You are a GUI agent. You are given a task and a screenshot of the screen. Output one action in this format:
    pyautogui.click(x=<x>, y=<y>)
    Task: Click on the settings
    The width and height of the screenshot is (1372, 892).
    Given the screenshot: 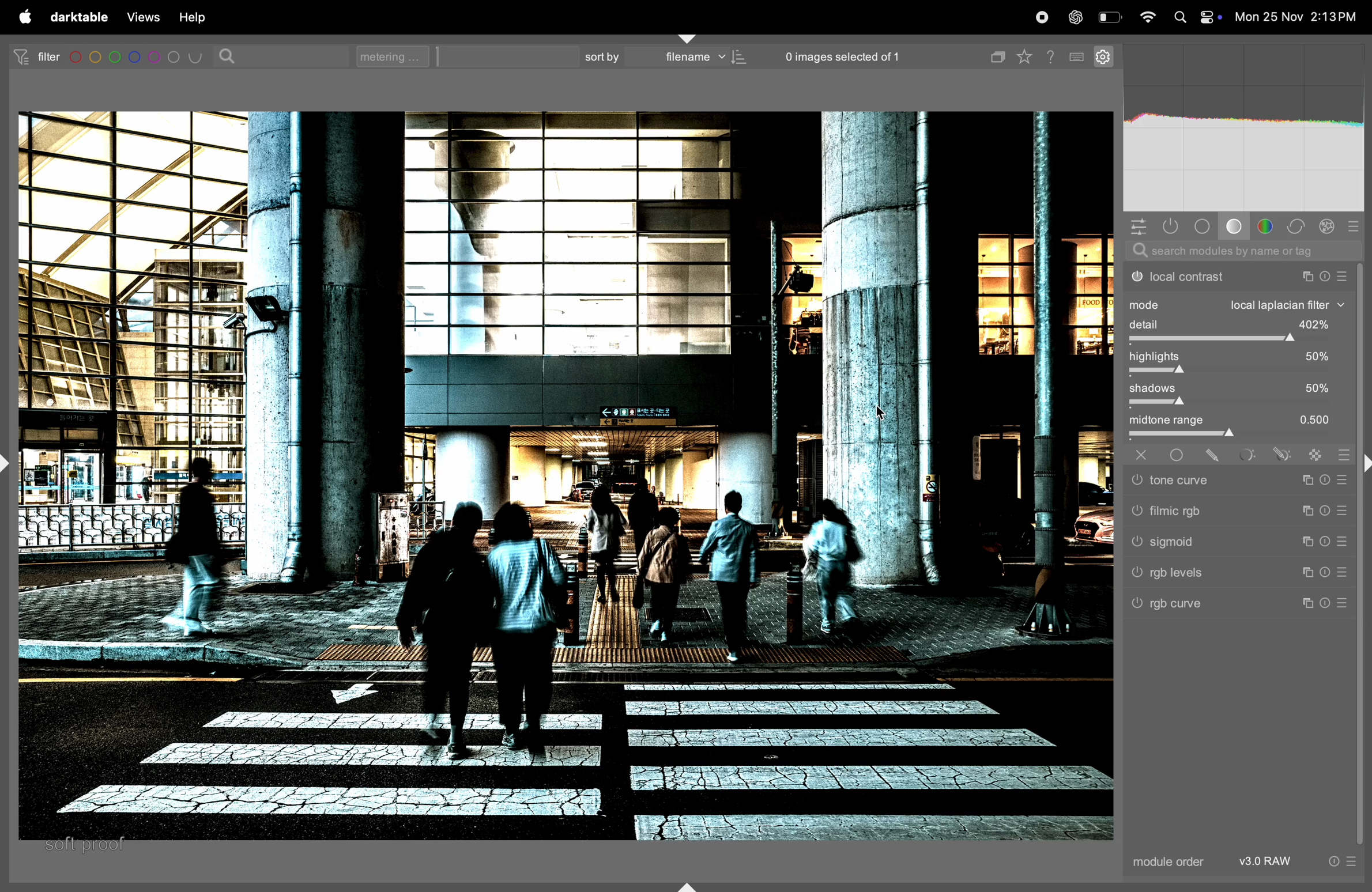 What is the action you would take?
    pyautogui.click(x=1102, y=55)
    